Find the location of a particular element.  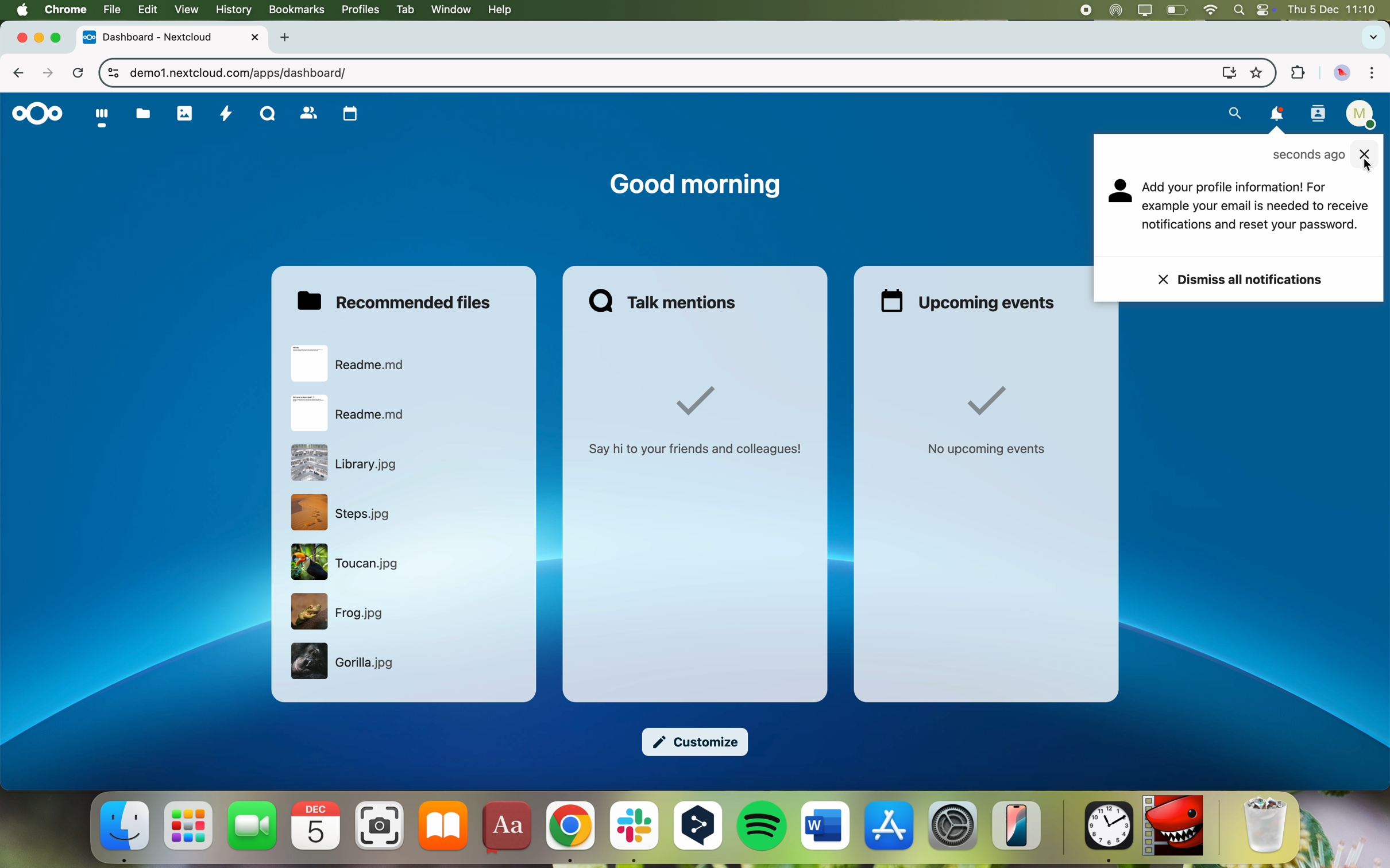

date and hour is located at coordinates (1337, 10).